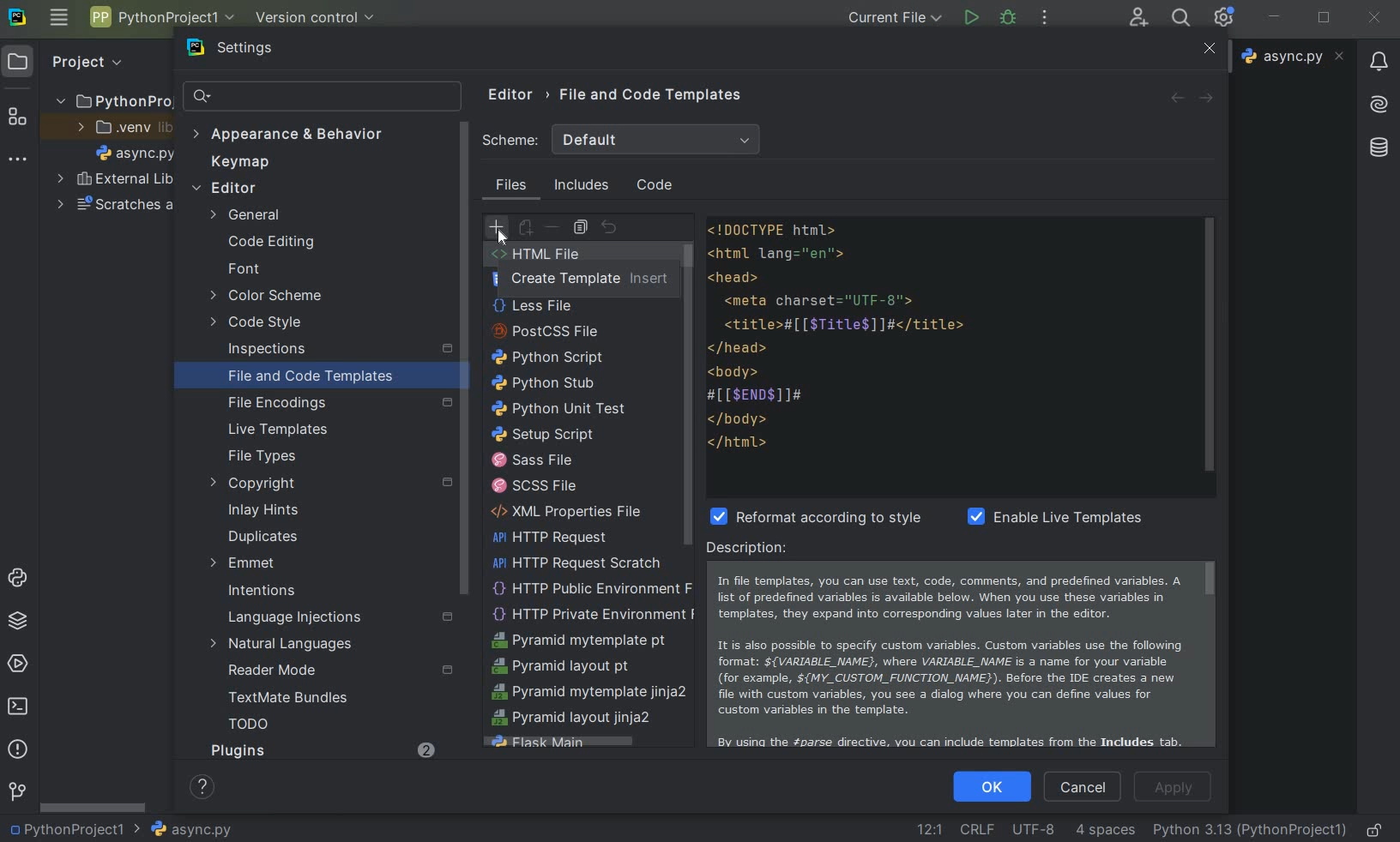 The width and height of the screenshot is (1400, 842). I want to click on search everywhere, so click(1181, 19).